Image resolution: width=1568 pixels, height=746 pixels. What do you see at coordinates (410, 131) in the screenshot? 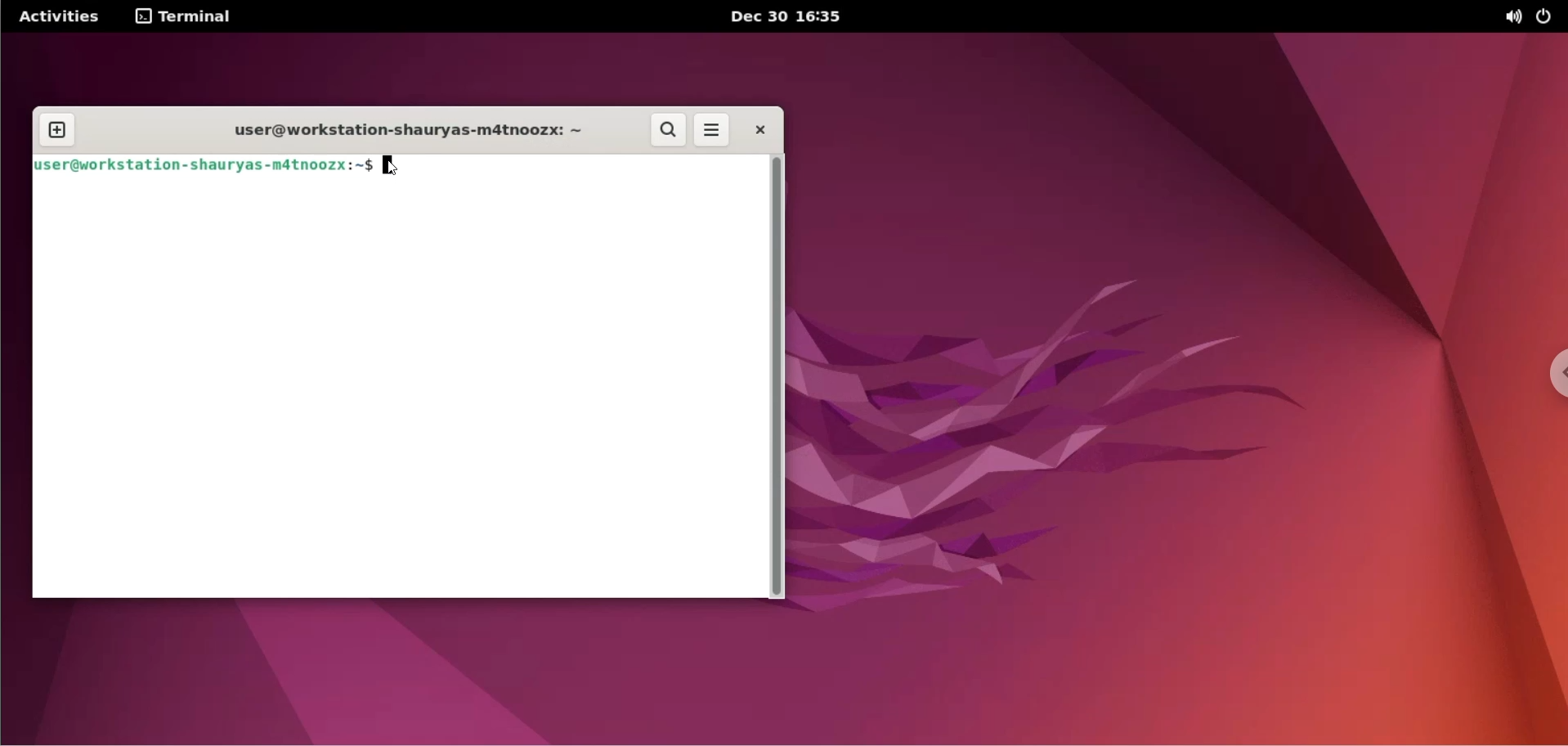
I see `user@workstation-shauryas-m4tnoozx: ~` at bounding box center [410, 131].